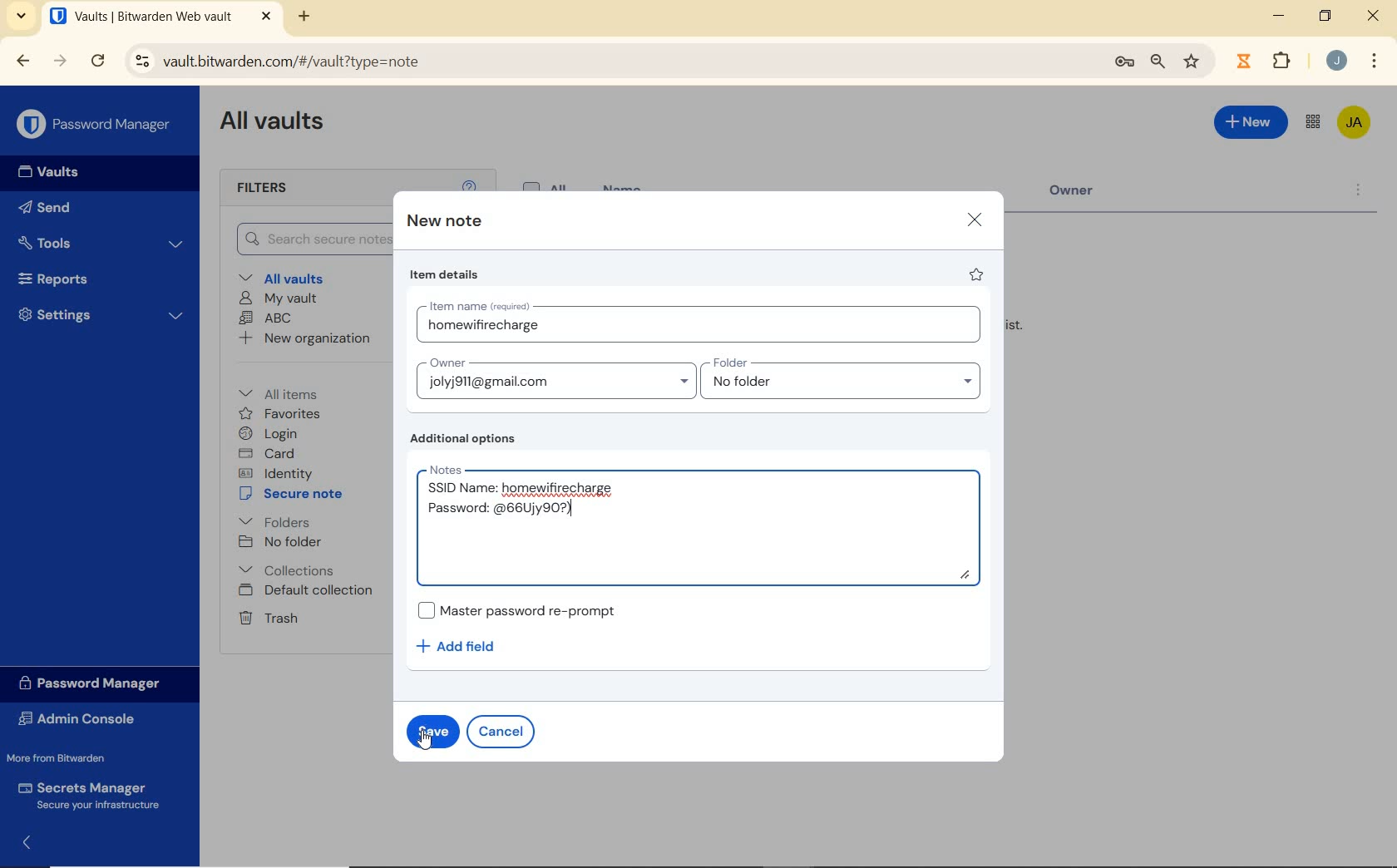  I want to click on additional options, so click(468, 439).